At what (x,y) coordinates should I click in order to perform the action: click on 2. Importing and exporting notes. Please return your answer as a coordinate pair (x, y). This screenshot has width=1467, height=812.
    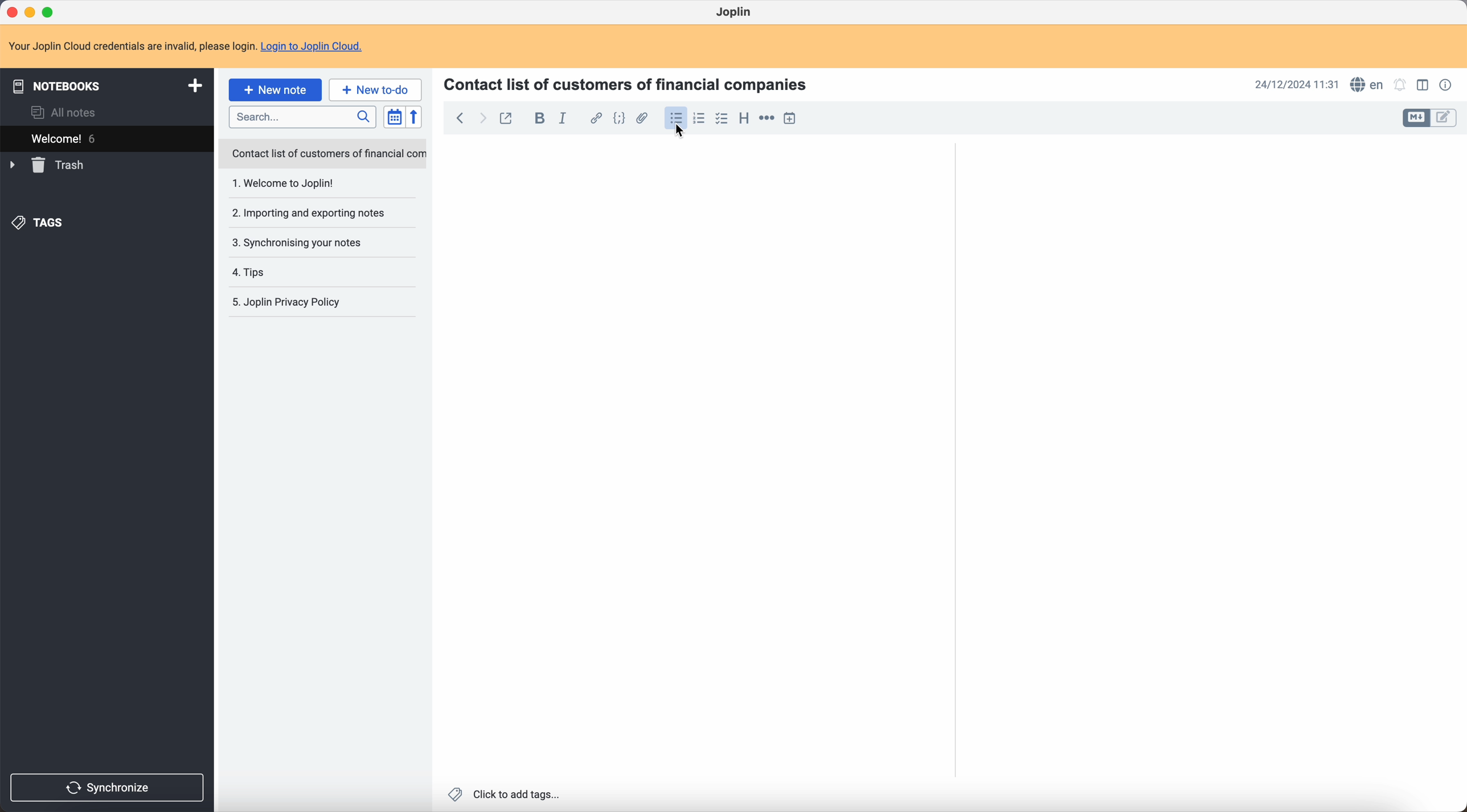
    Looking at the image, I should click on (312, 214).